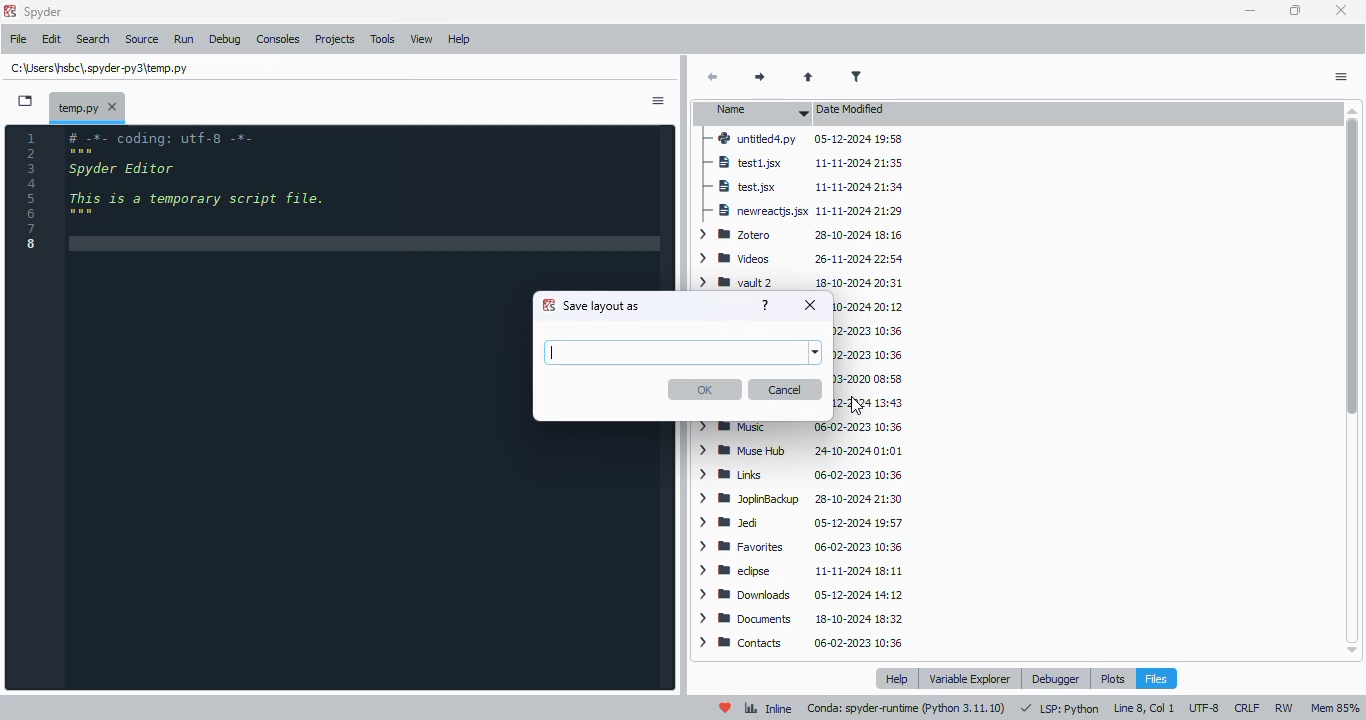 This screenshot has width=1366, height=720. What do you see at coordinates (800, 619) in the screenshot?
I see `documents` at bounding box center [800, 619].